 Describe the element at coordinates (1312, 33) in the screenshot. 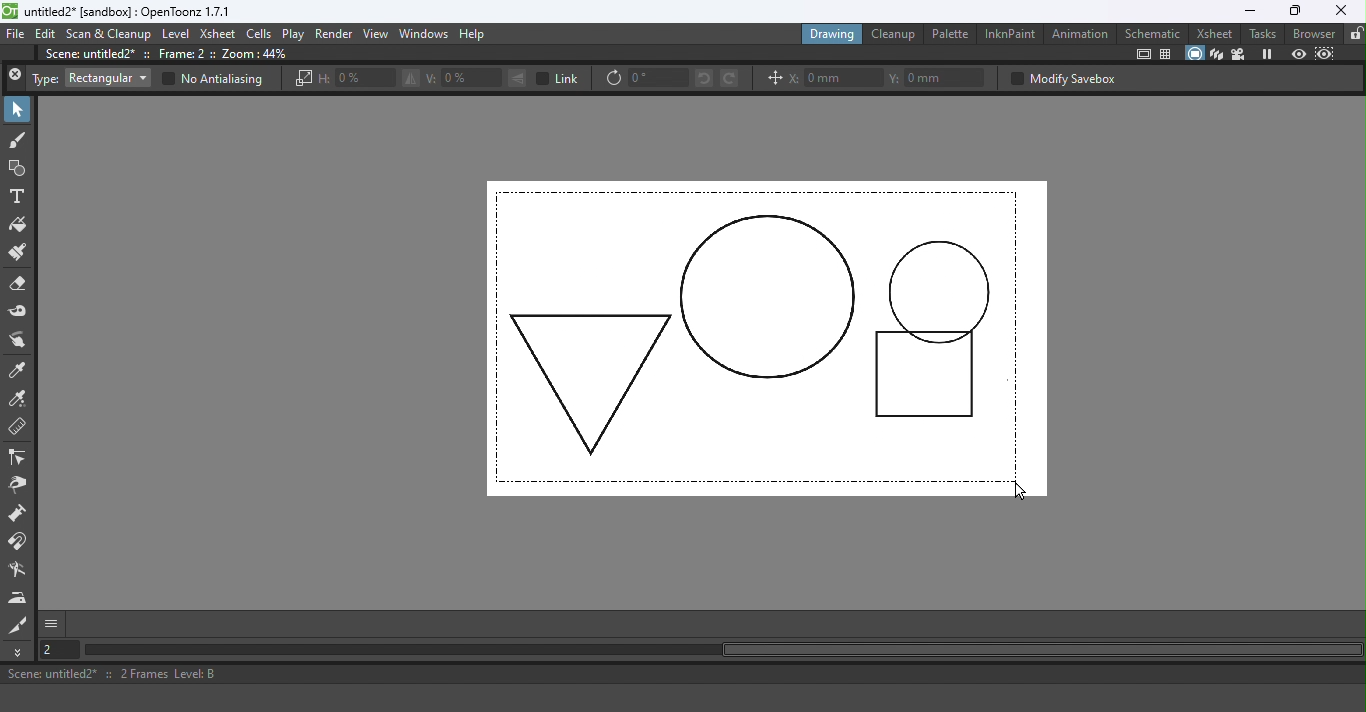

I see `Browser` at that location.